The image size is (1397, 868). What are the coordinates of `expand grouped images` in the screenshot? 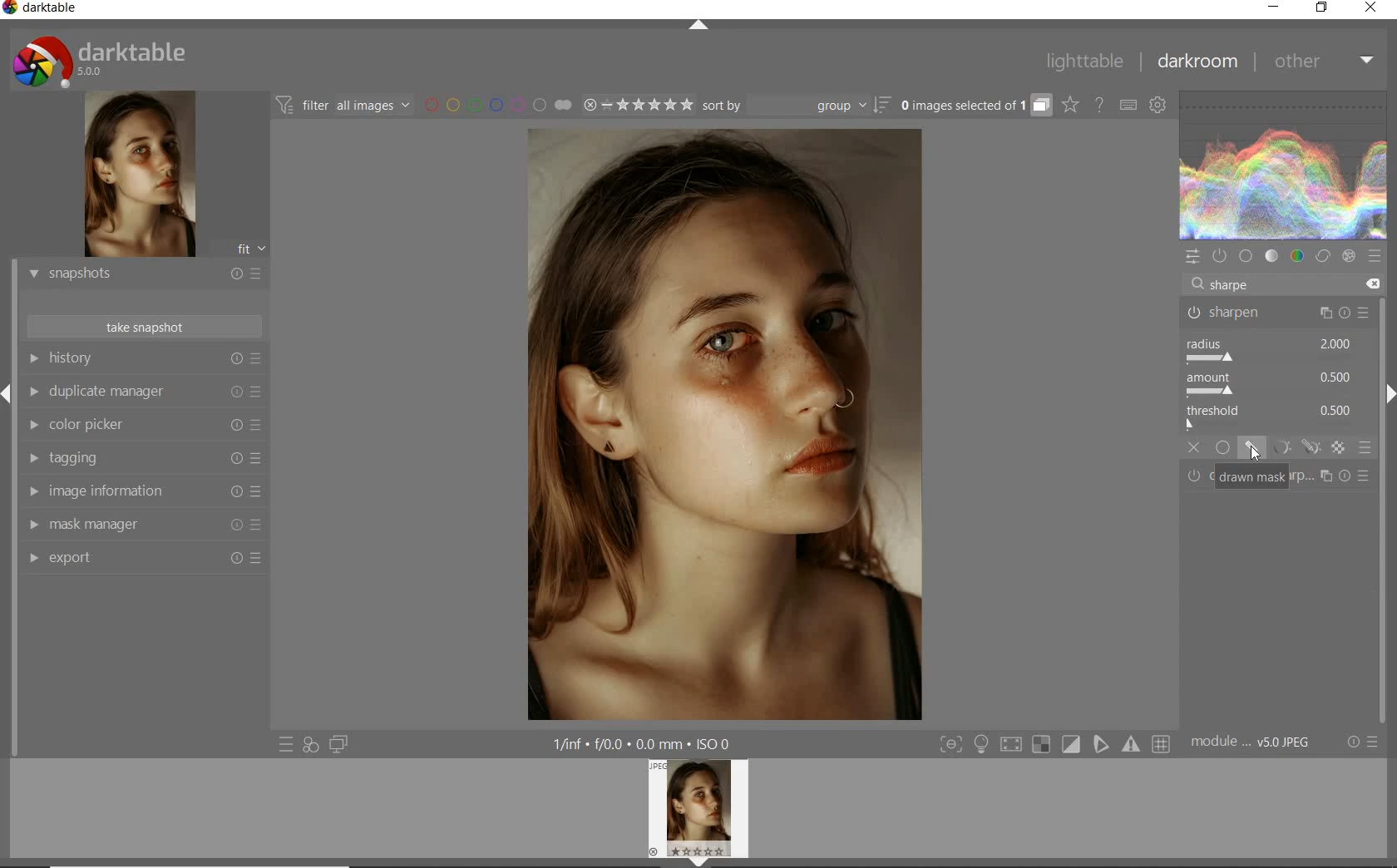 It's located at (973, 105).